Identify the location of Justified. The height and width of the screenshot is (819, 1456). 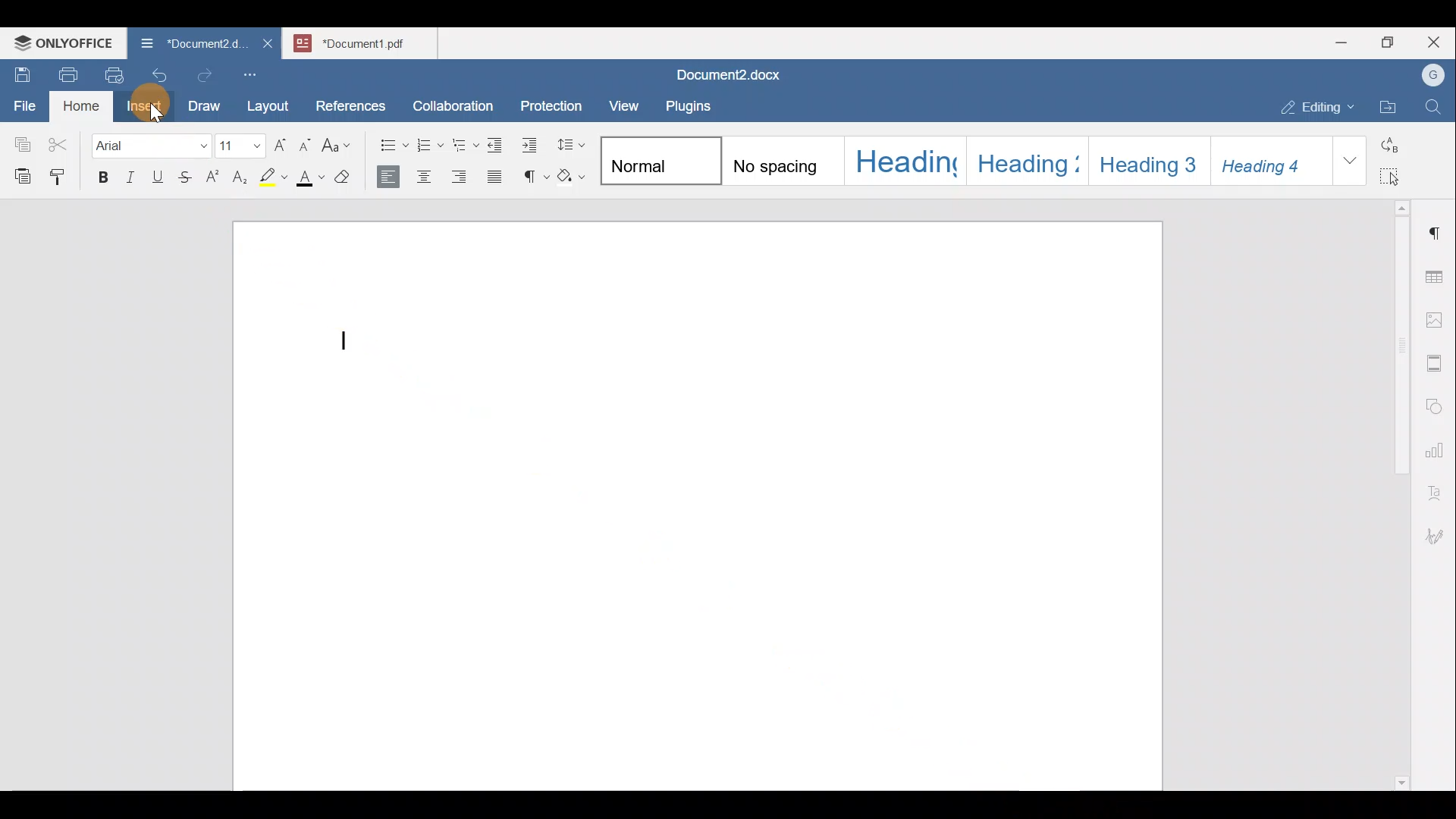
(497, 174).